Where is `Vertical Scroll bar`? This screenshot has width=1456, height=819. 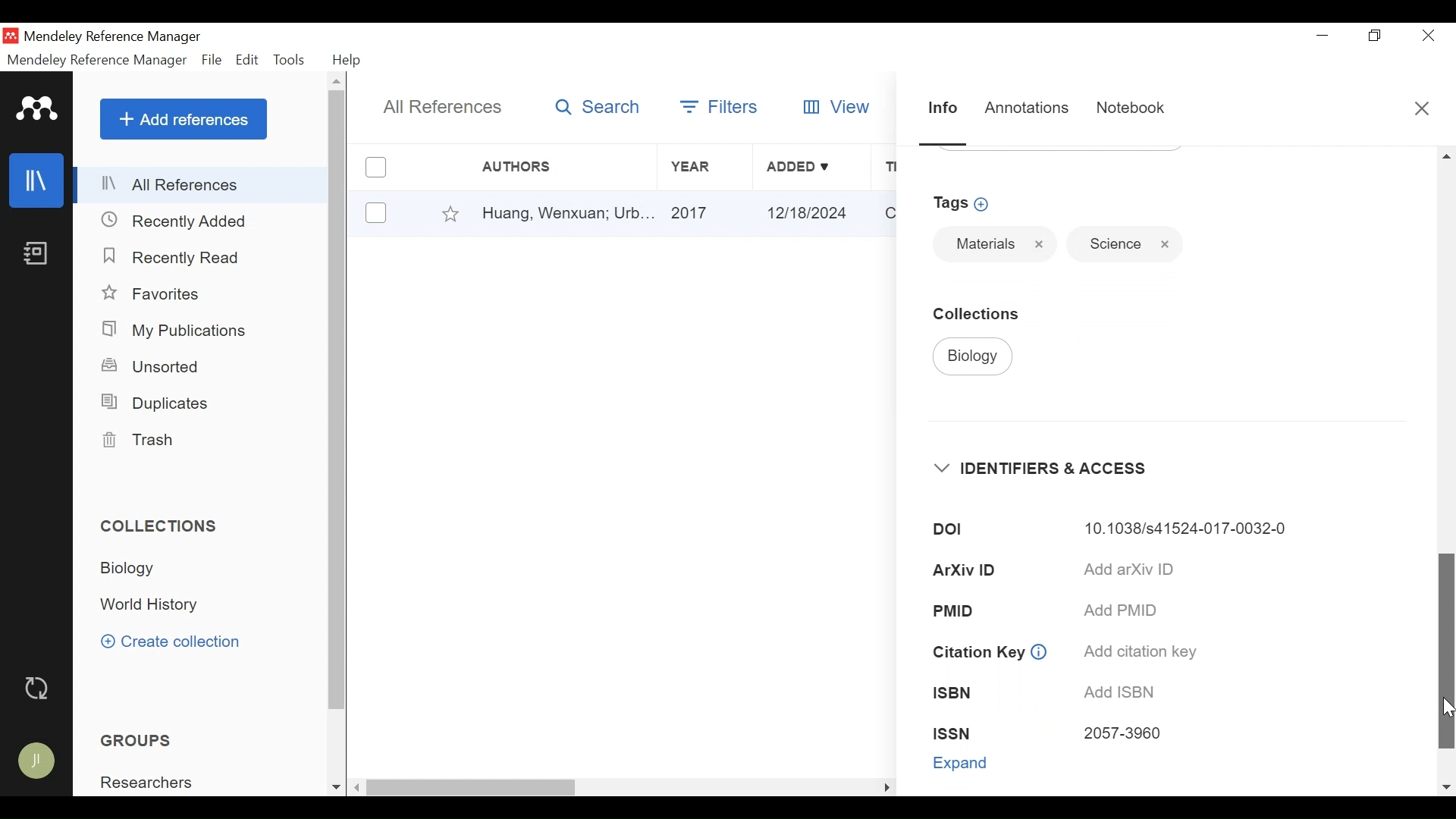 Vertical Scroll bar is located at coordinates (1445, 650).